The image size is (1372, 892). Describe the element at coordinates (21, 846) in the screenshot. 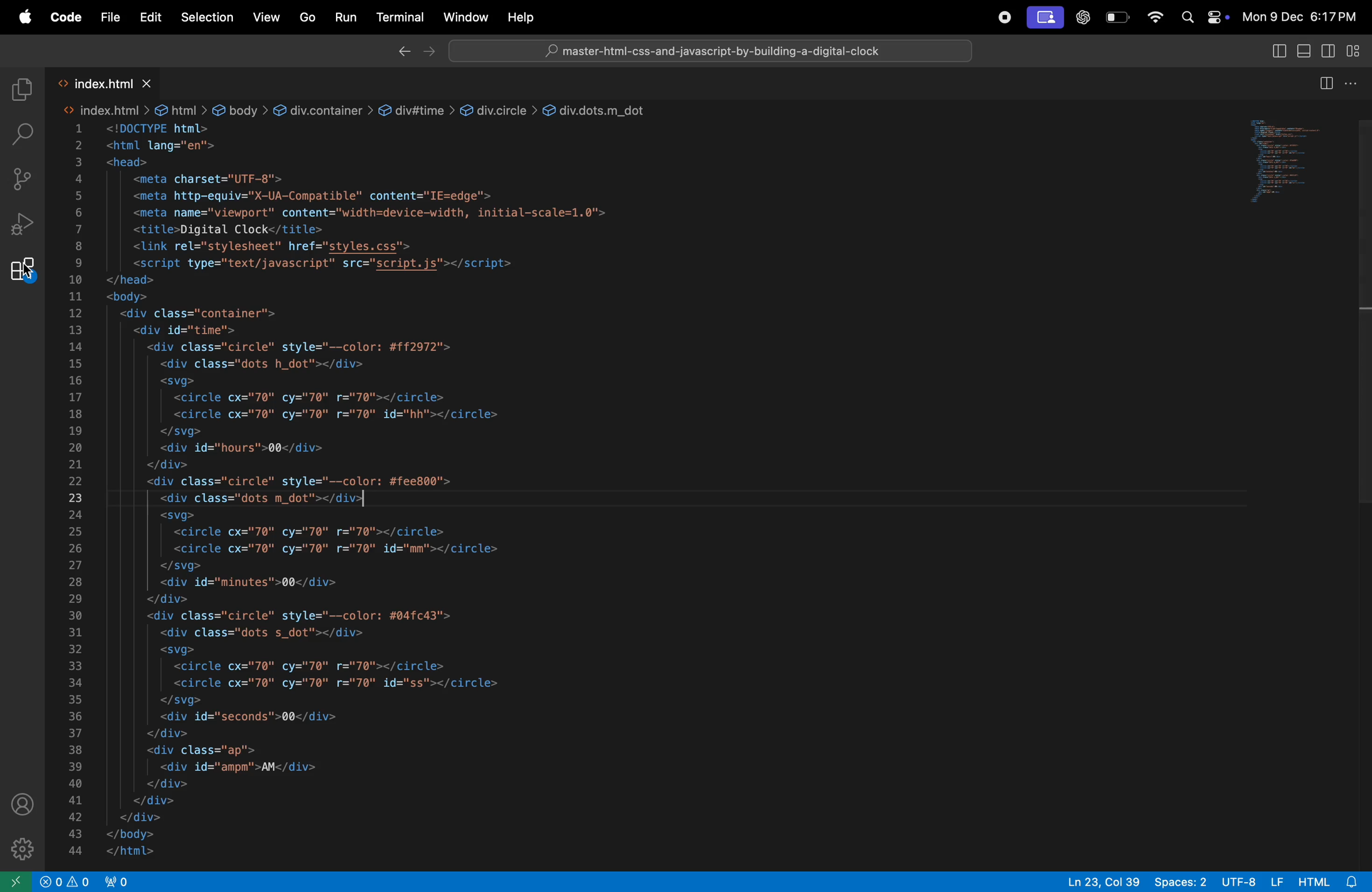

I see `settings` at that location.